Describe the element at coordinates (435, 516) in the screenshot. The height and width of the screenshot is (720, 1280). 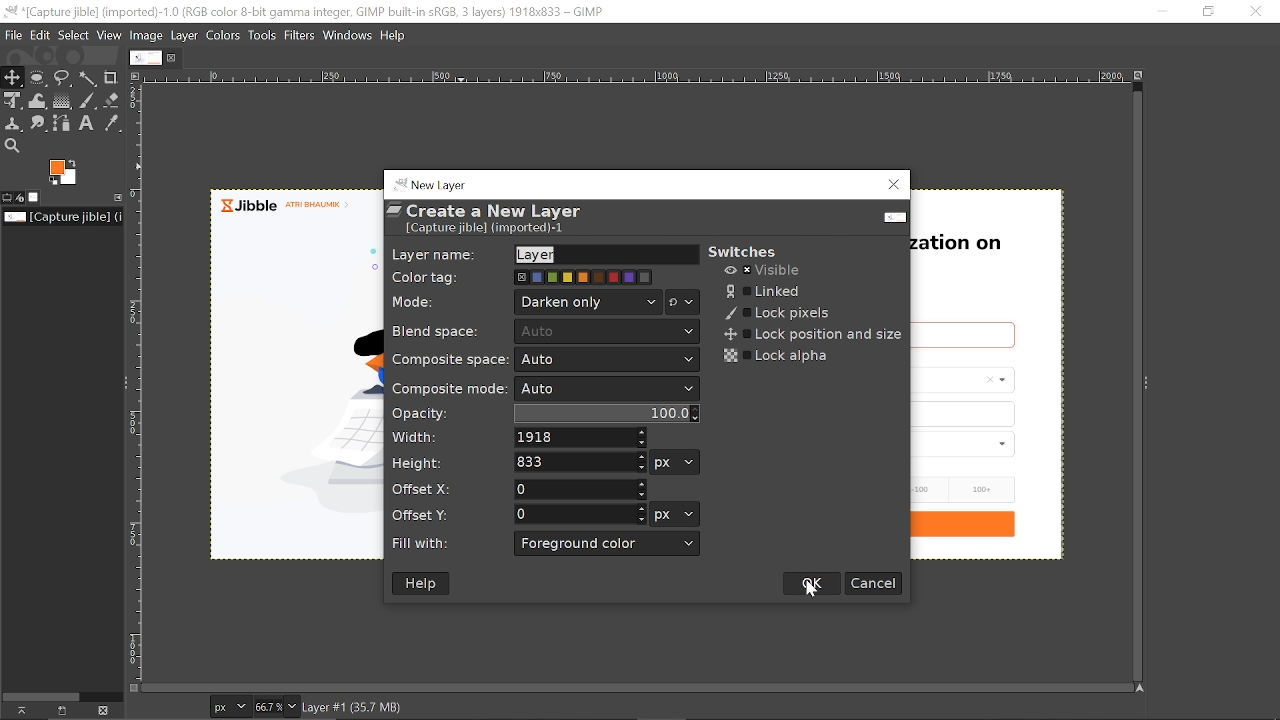
I see `offset ` at that location.